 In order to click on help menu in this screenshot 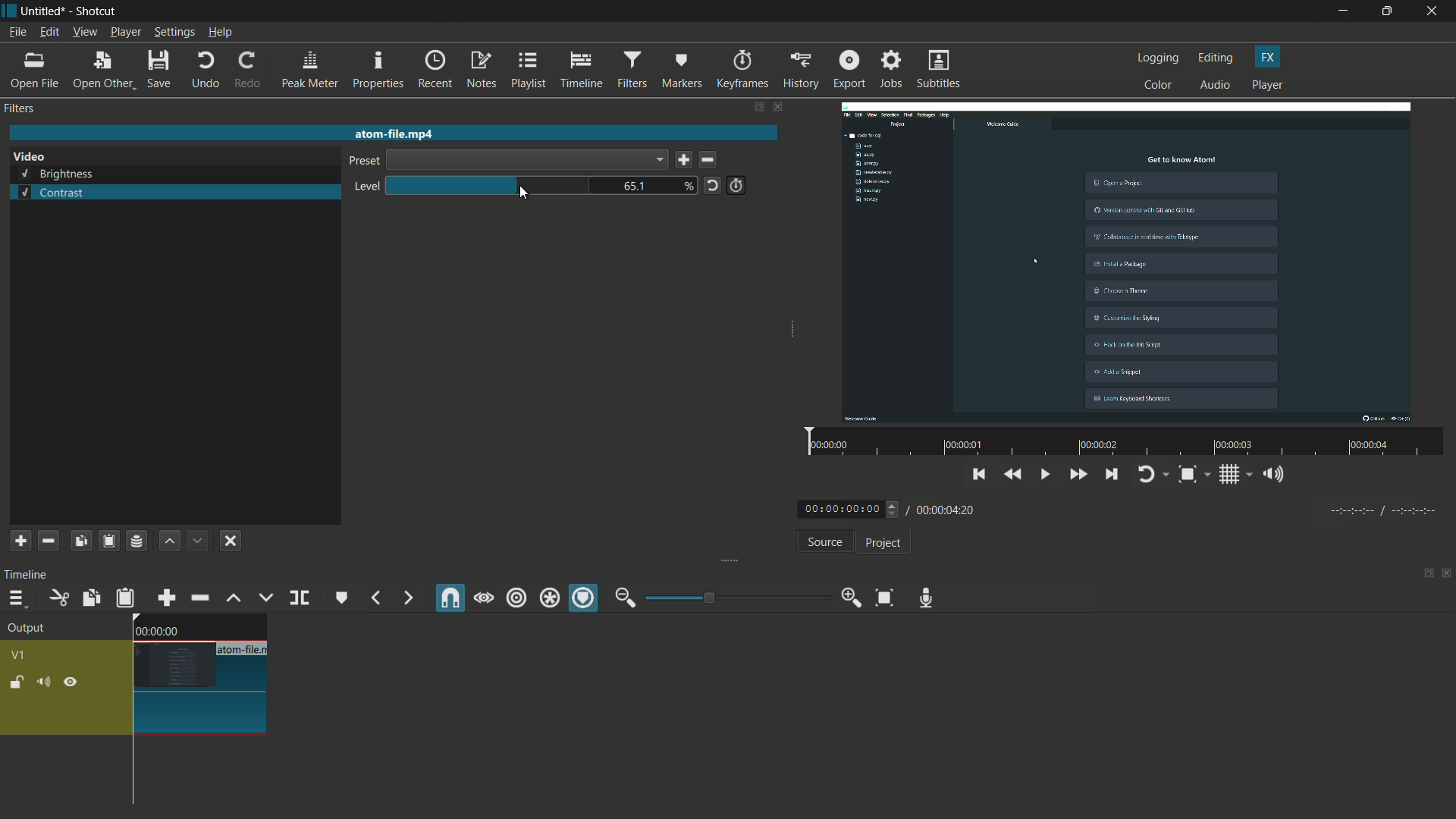, I will do `click(221, 33)`.